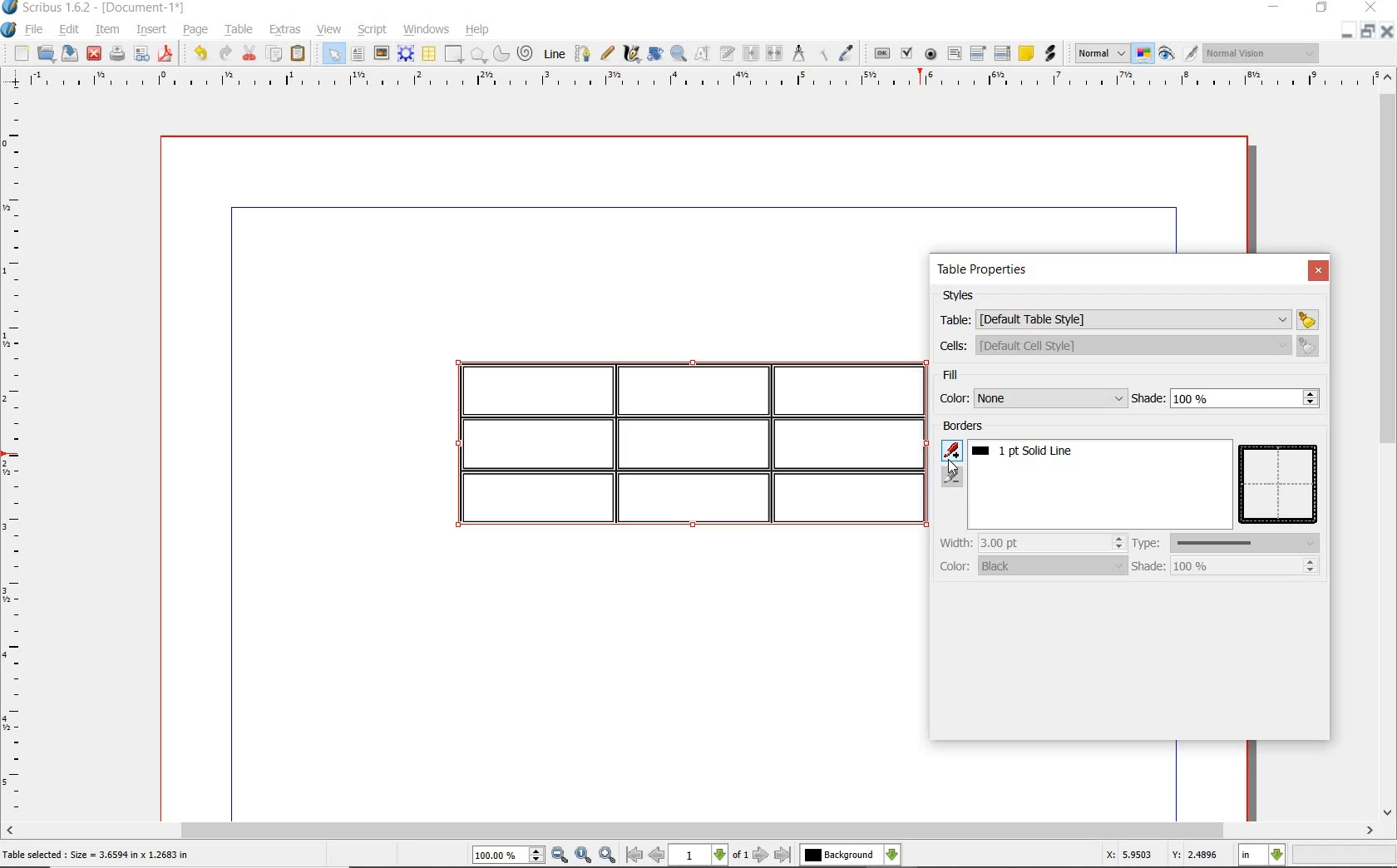 The image size is (1397, 868). I want to click on cut, so click(250, 54).